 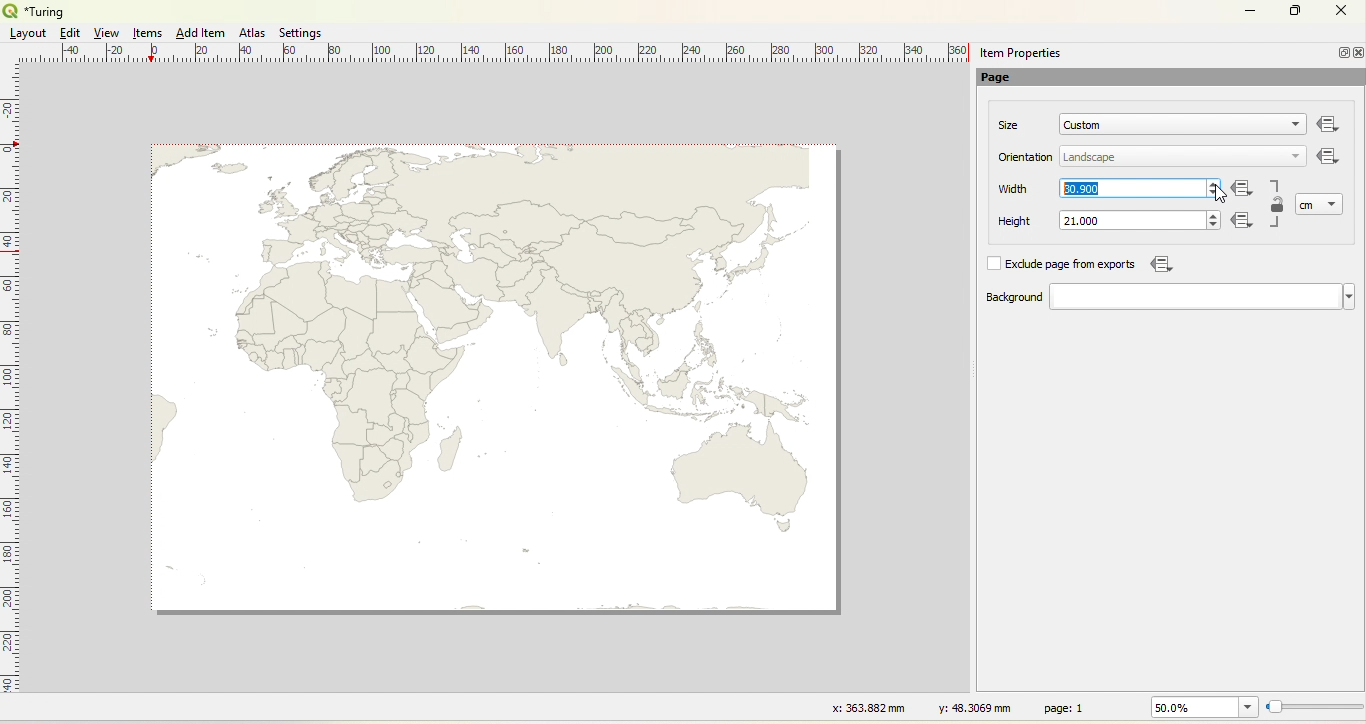 I want to click on Height, so click(x=1002, y=222).